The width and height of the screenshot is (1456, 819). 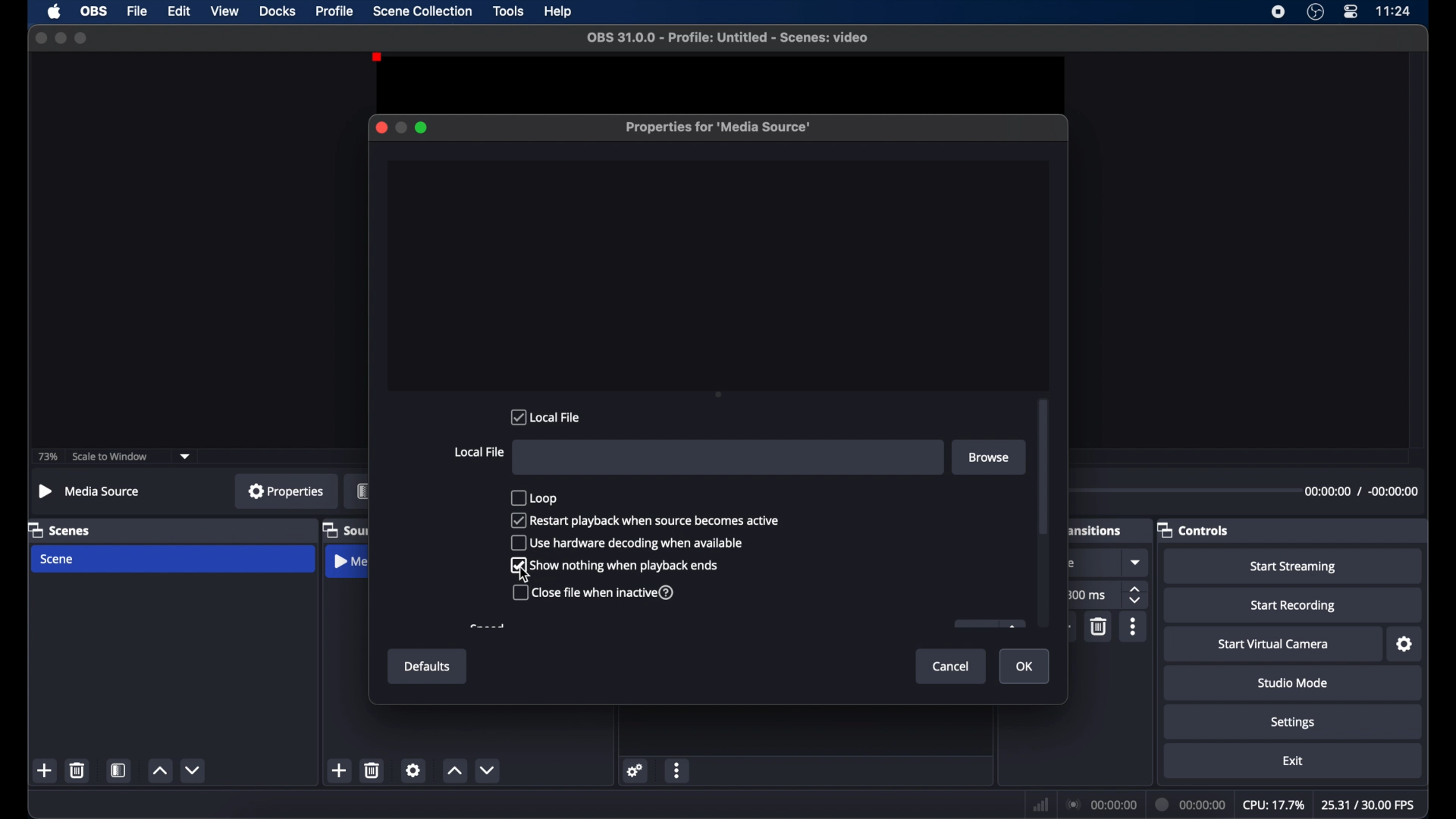 What do you see at coordinates (1405, 645) in the screenshot?
I see `settings` at bounding box center [1405, 645].